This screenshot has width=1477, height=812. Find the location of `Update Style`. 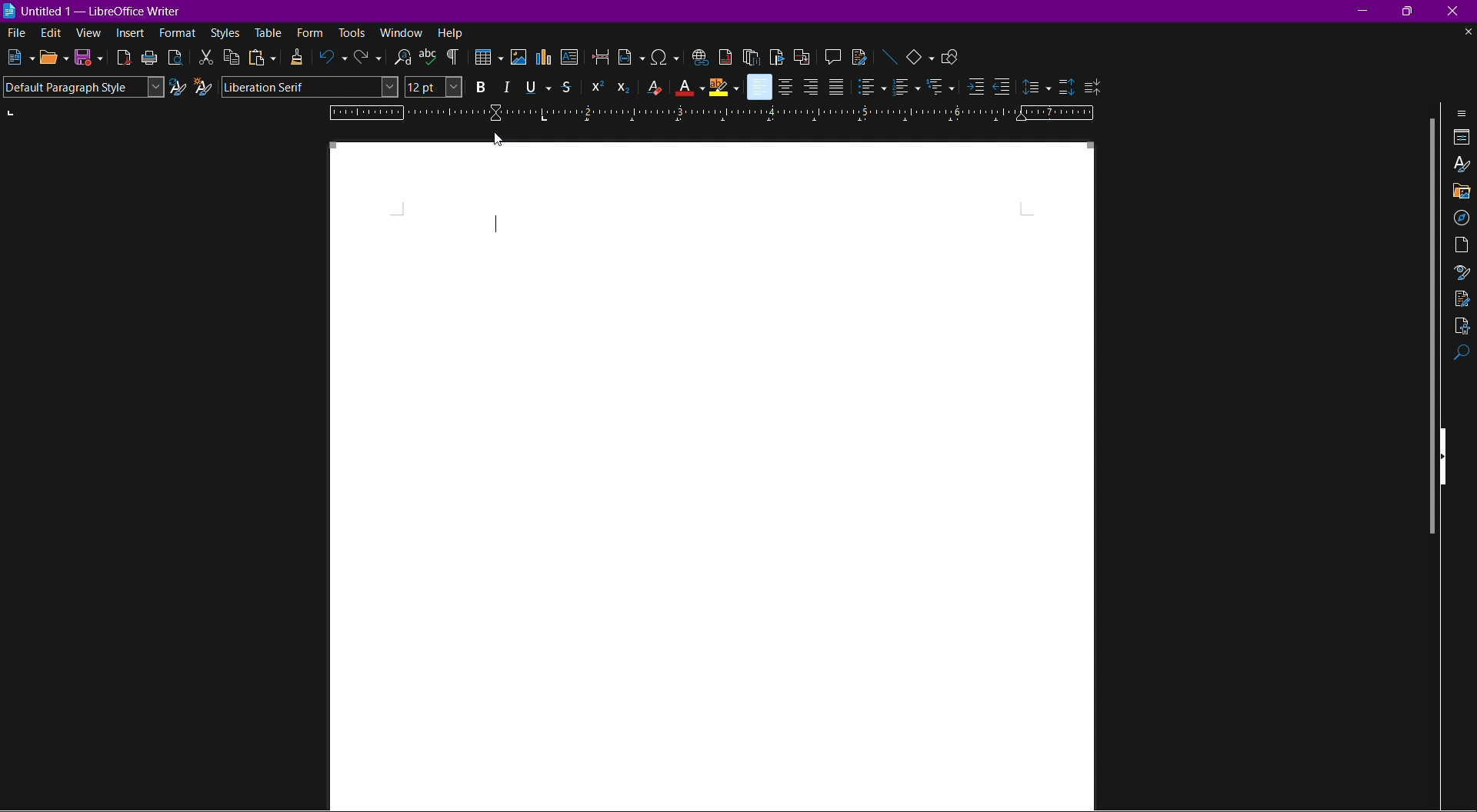

Update Style is located at coordinates (178, 88).